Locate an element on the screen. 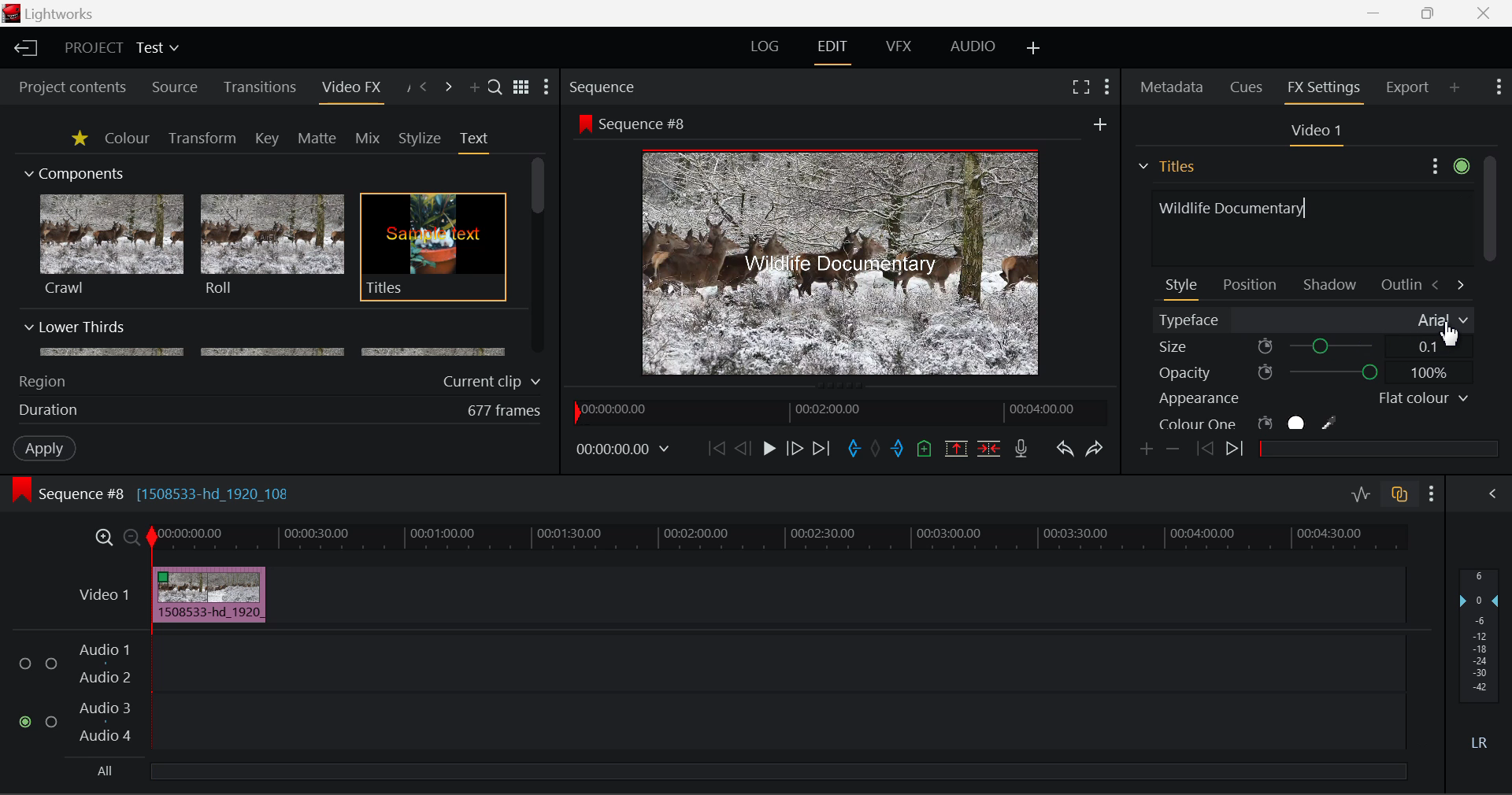 This screenshot has height=795, width=1512. Decibel Level is located at coordinates (1480, 663).